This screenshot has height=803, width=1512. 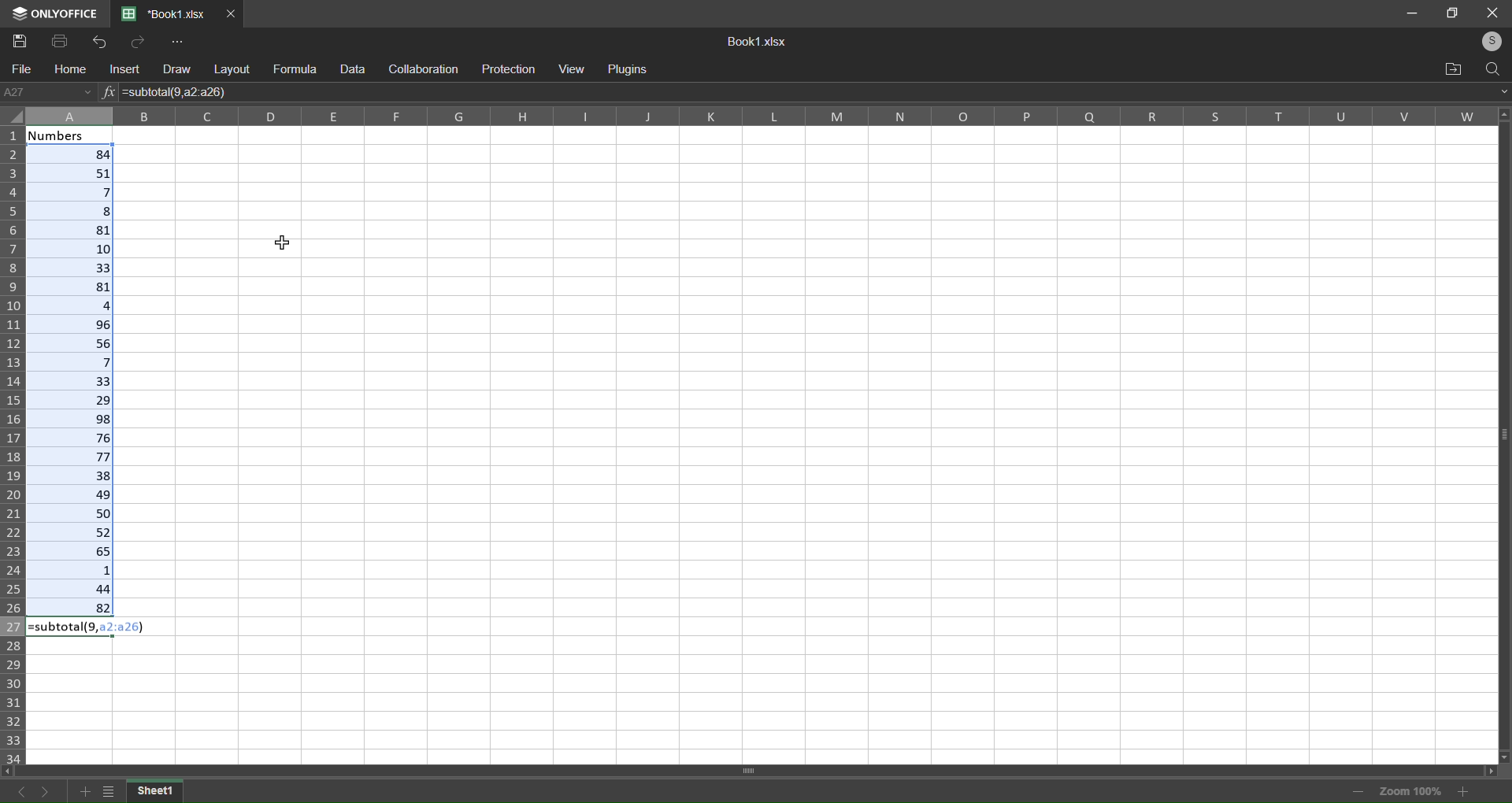 What do you see at coordinates (232, 13) in the screenshot?
I see `Close Tab` at bounding box center [232, 13].